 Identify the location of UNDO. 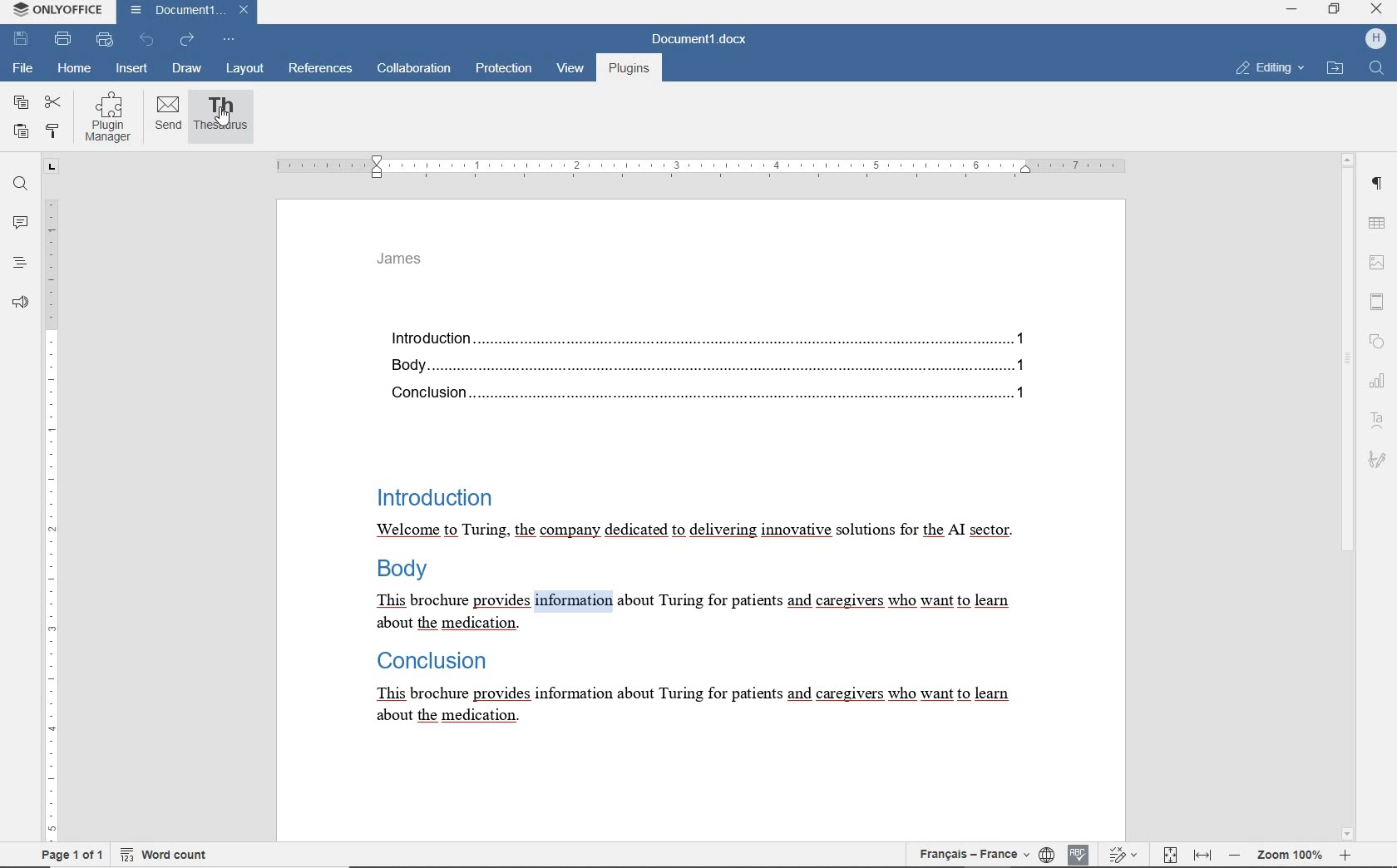
(146, 39).